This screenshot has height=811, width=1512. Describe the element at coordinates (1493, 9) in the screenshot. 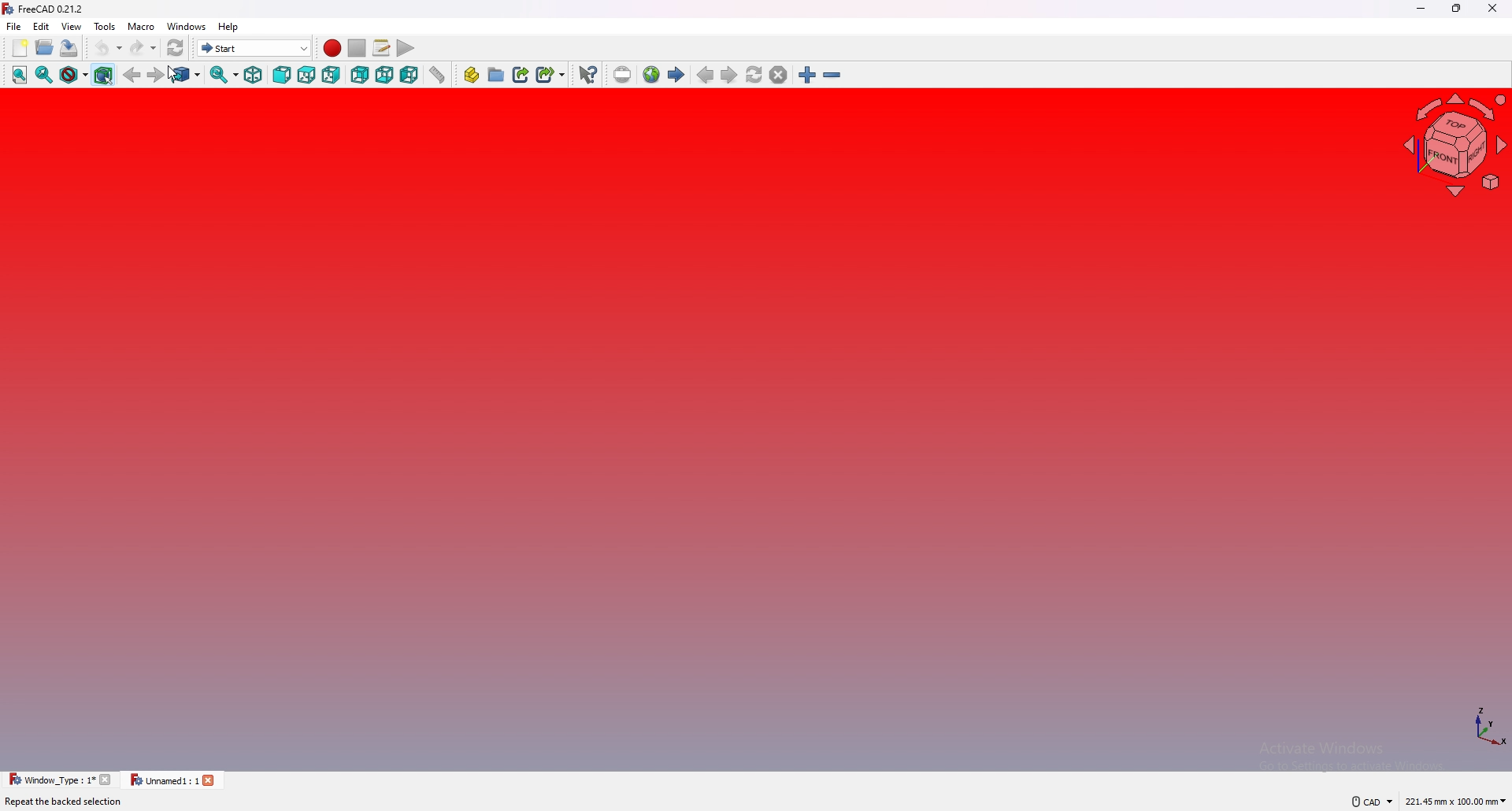

I see `close` at that location.